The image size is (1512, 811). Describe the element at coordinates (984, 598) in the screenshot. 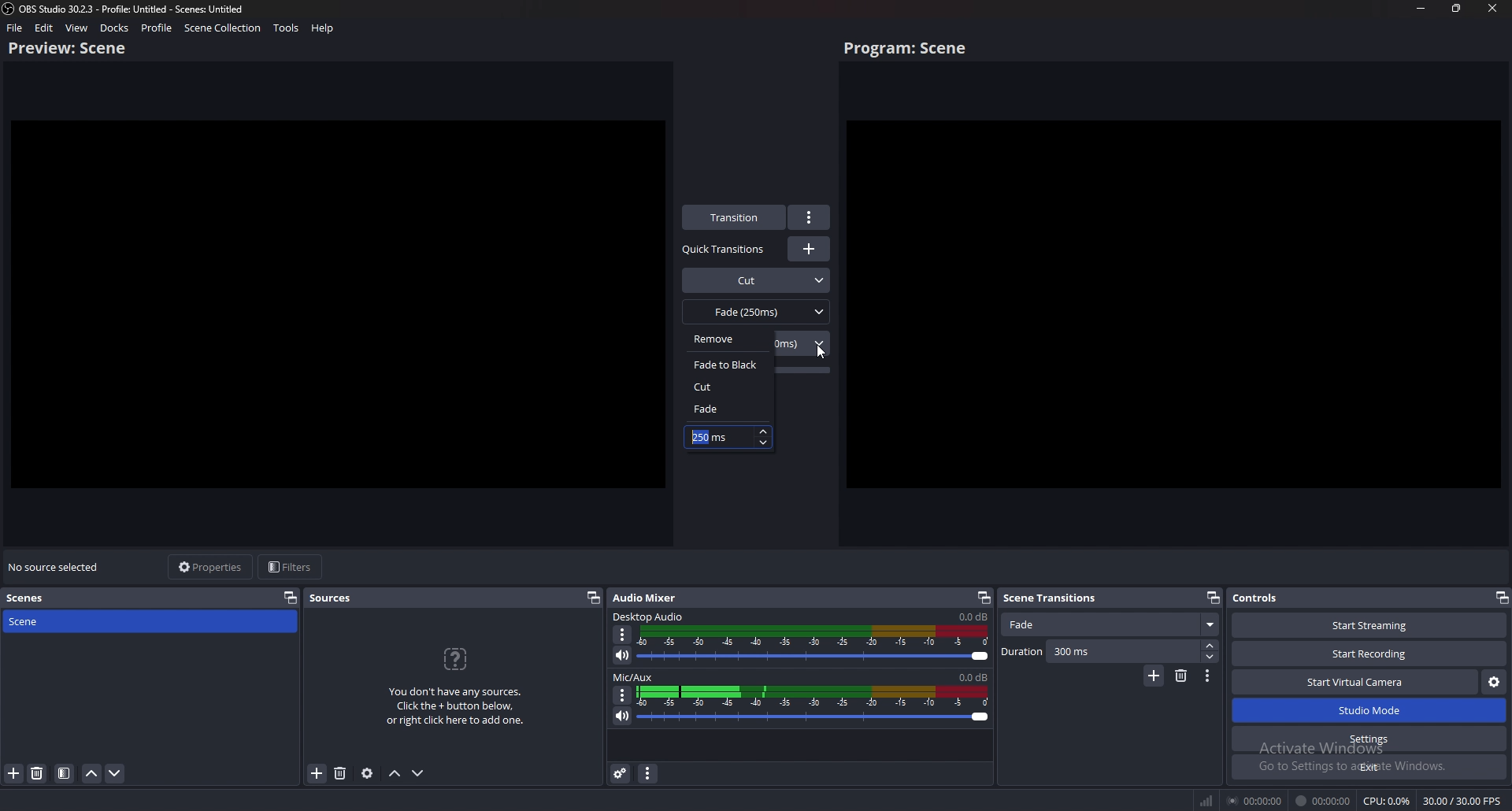

I see `Pop out` at that location.